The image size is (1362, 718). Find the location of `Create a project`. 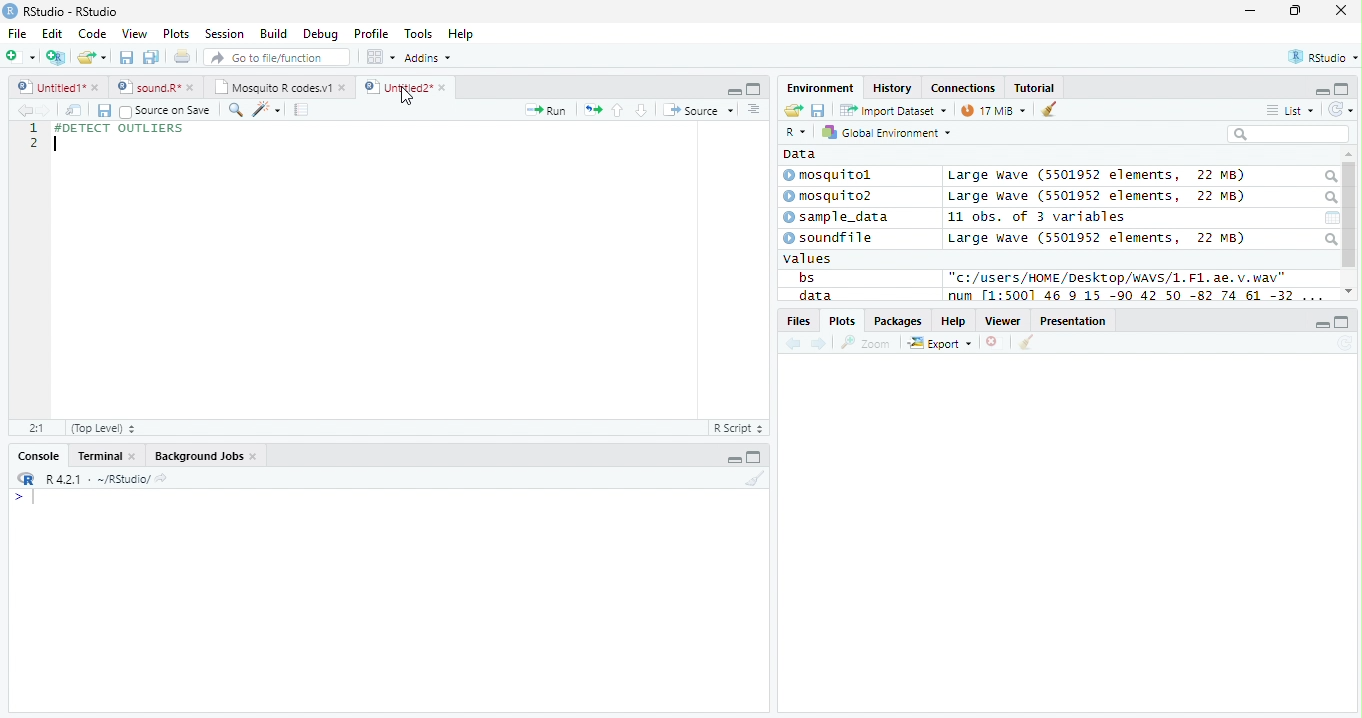

Create a project is located at coordinates (58, 57).